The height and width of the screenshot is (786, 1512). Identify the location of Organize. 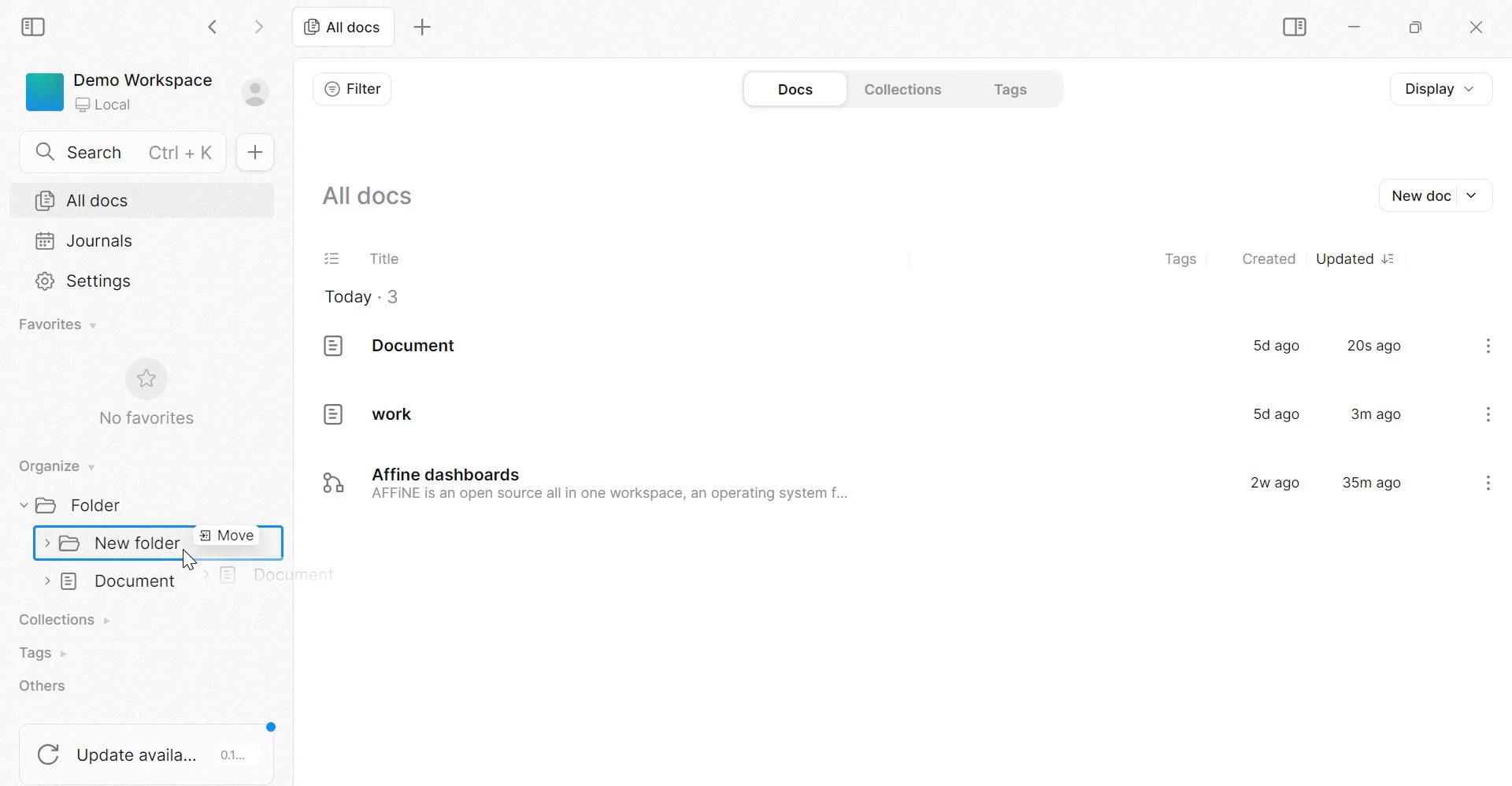
(55, 464).